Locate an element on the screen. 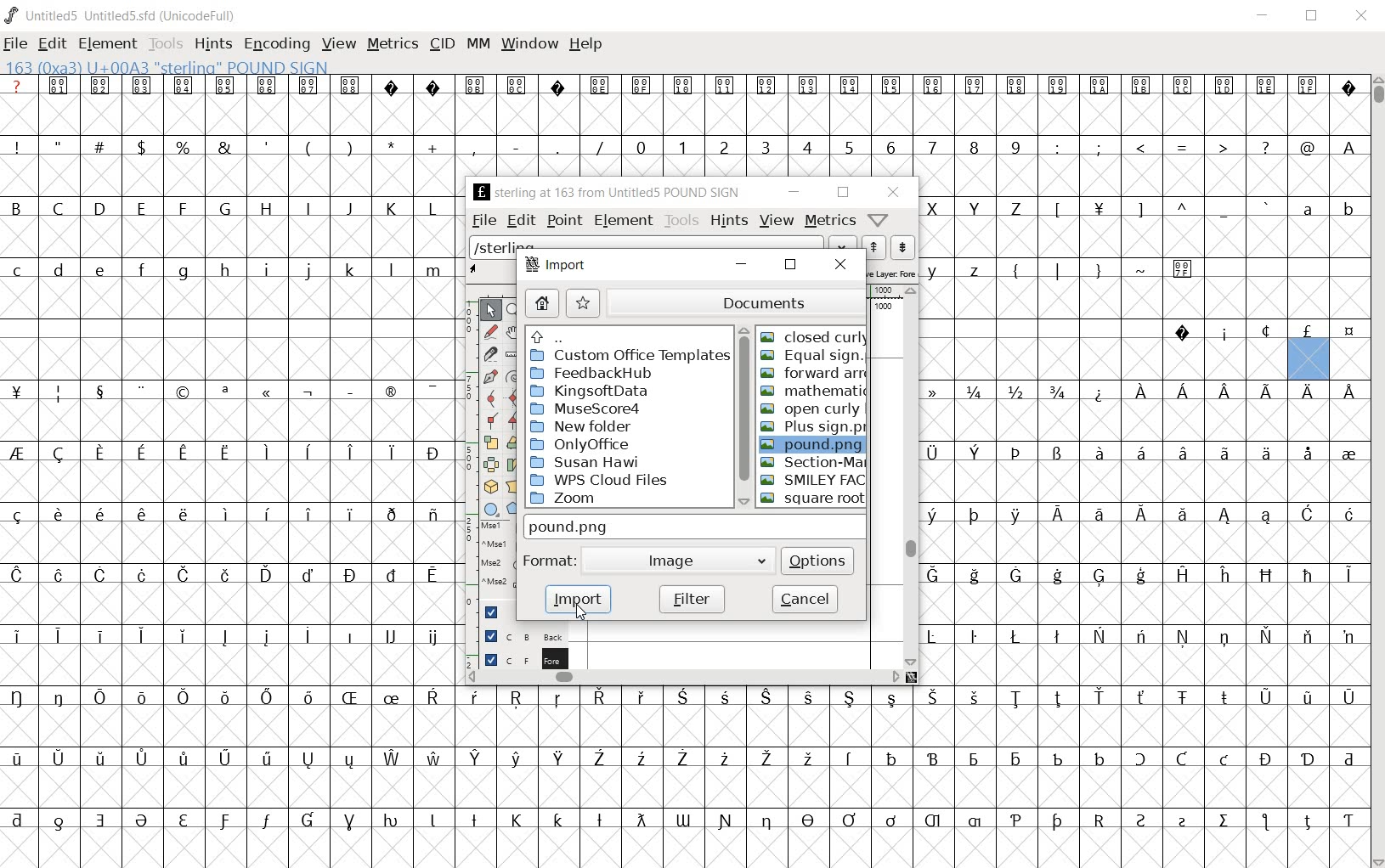 The width and height of the screenshot is (1385, 868). New folder is located at coordinates (585, 426).